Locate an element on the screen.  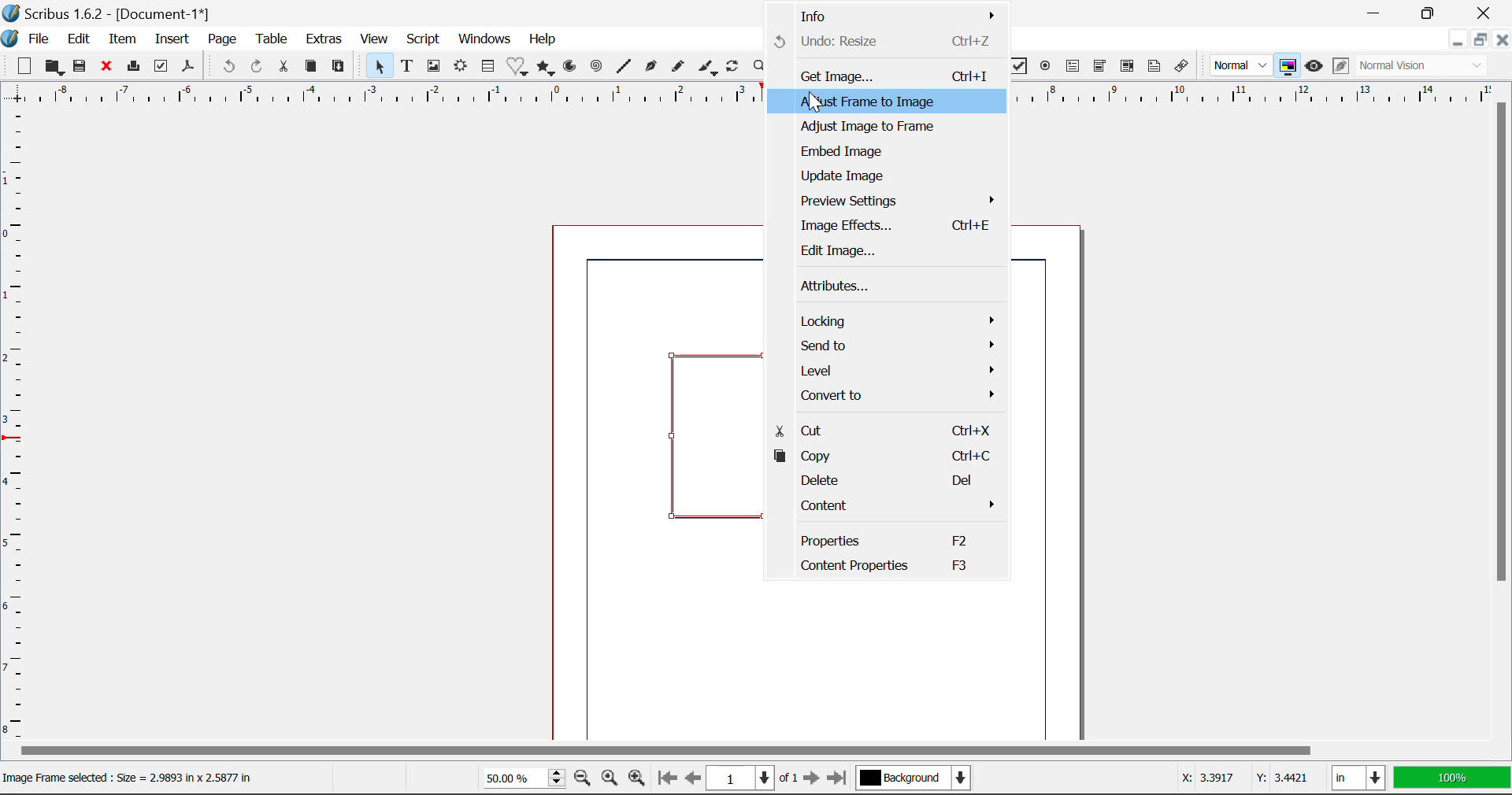
Cut is located at coordinates (283, 67).